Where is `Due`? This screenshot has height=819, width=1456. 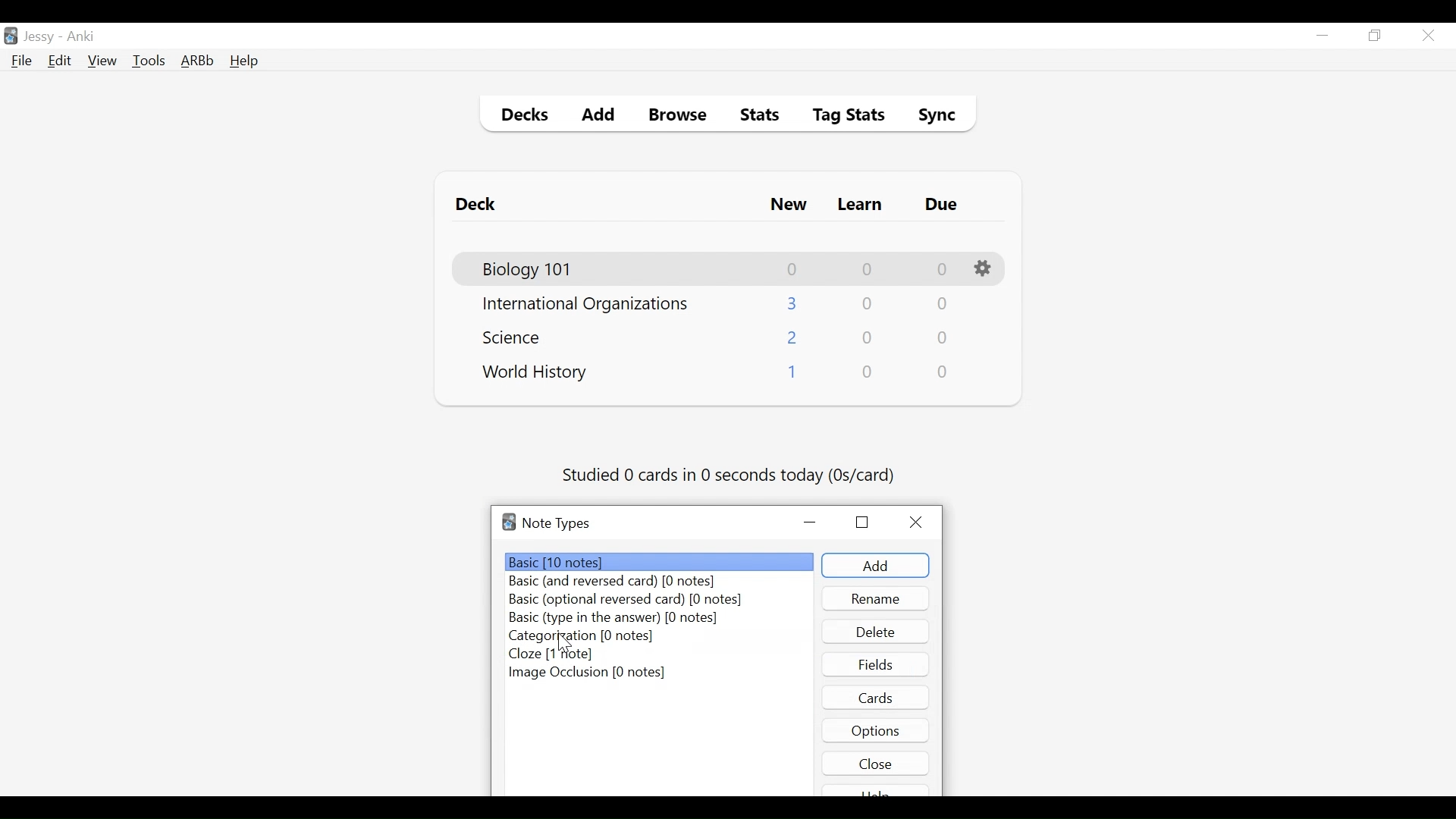
Due is located at coordinates (943, 205).